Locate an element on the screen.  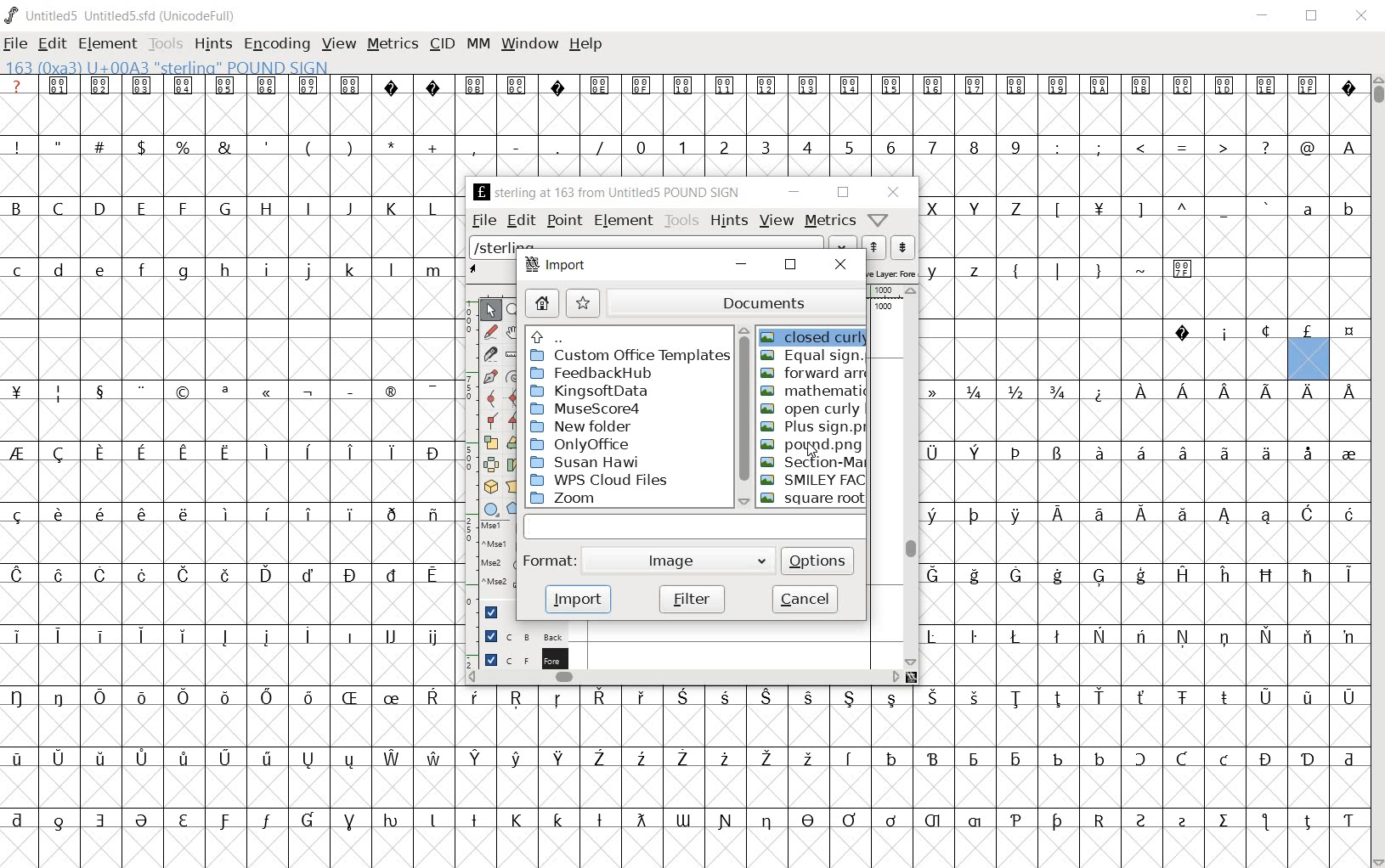
Symbol is located at coordinates (1015, 516).